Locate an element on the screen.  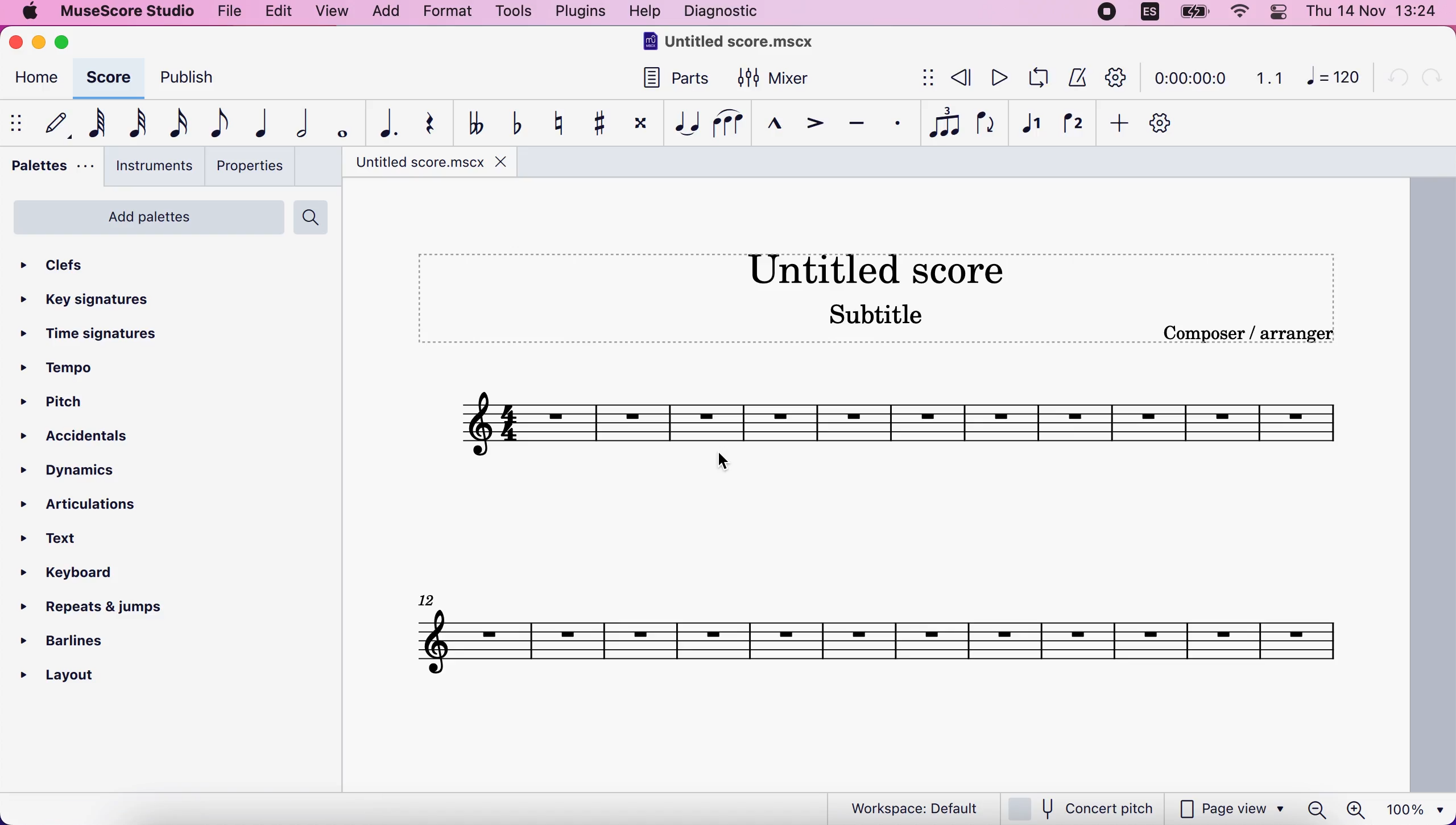
rewind is located at coordinates (962, 78).